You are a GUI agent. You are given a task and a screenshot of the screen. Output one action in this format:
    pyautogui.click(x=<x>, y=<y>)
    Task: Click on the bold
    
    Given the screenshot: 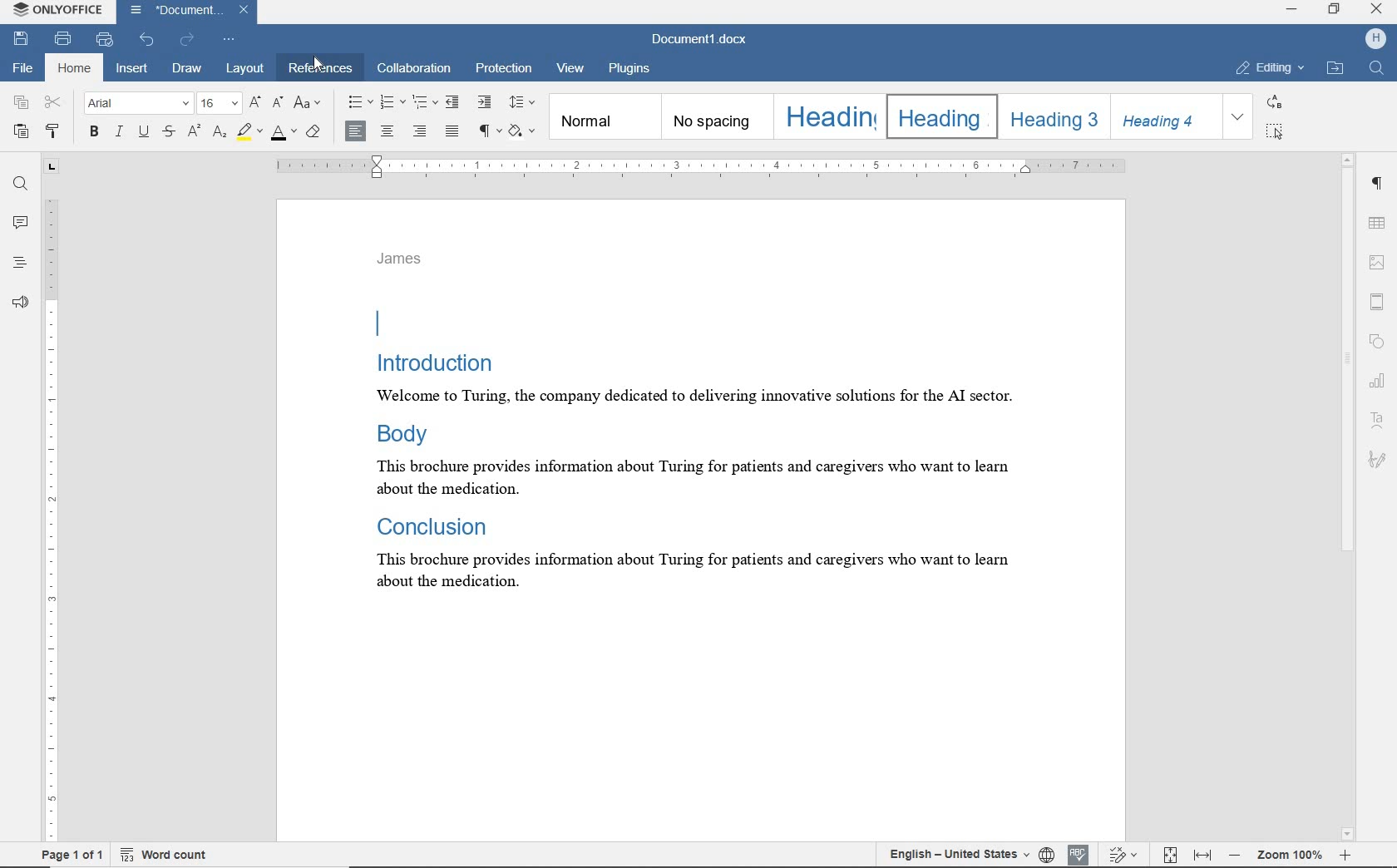 What is the action you would take?
    pyautogui.click(x=93, y=131)
    